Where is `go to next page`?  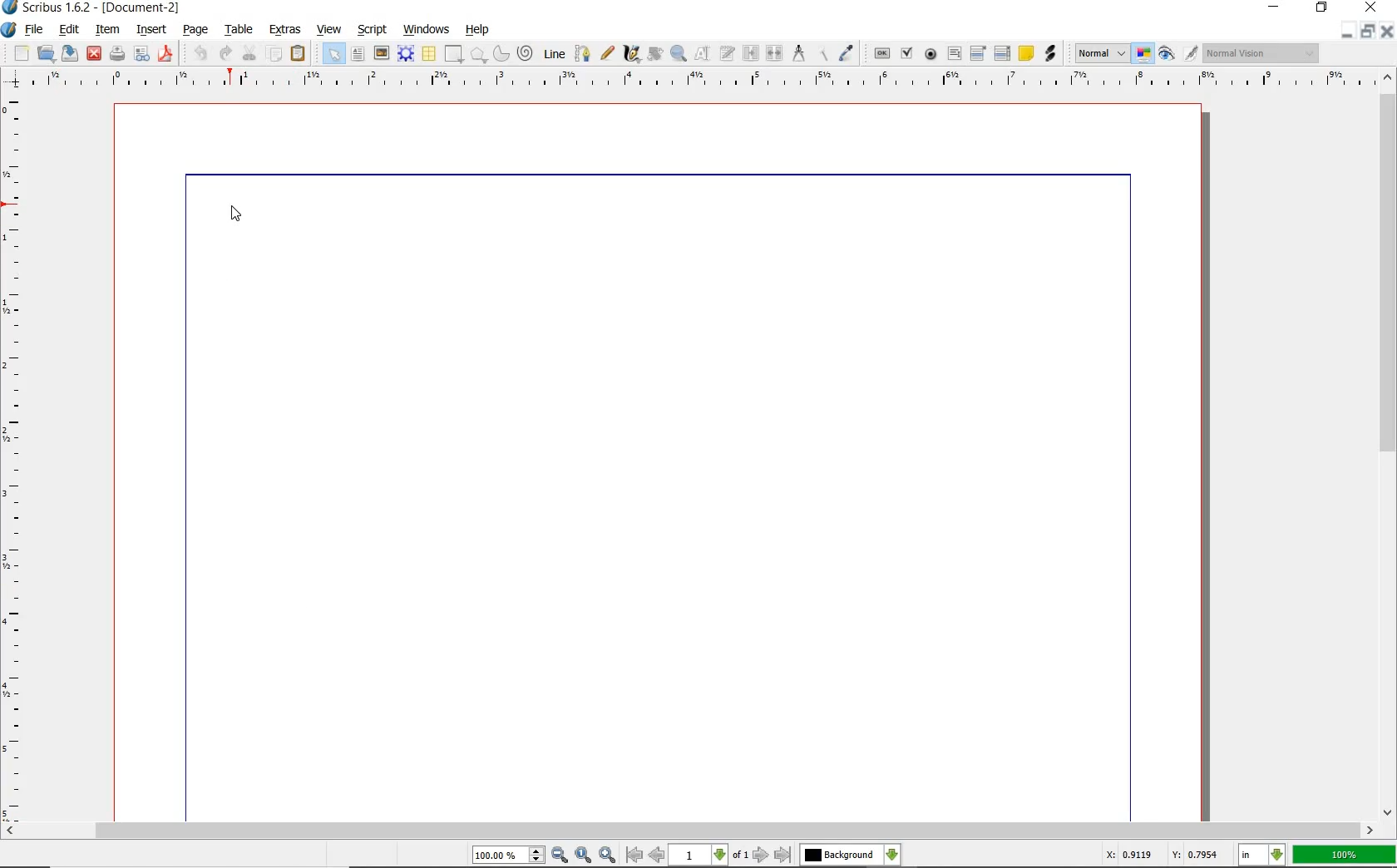
go to next page is located at coordinates (762, 856).